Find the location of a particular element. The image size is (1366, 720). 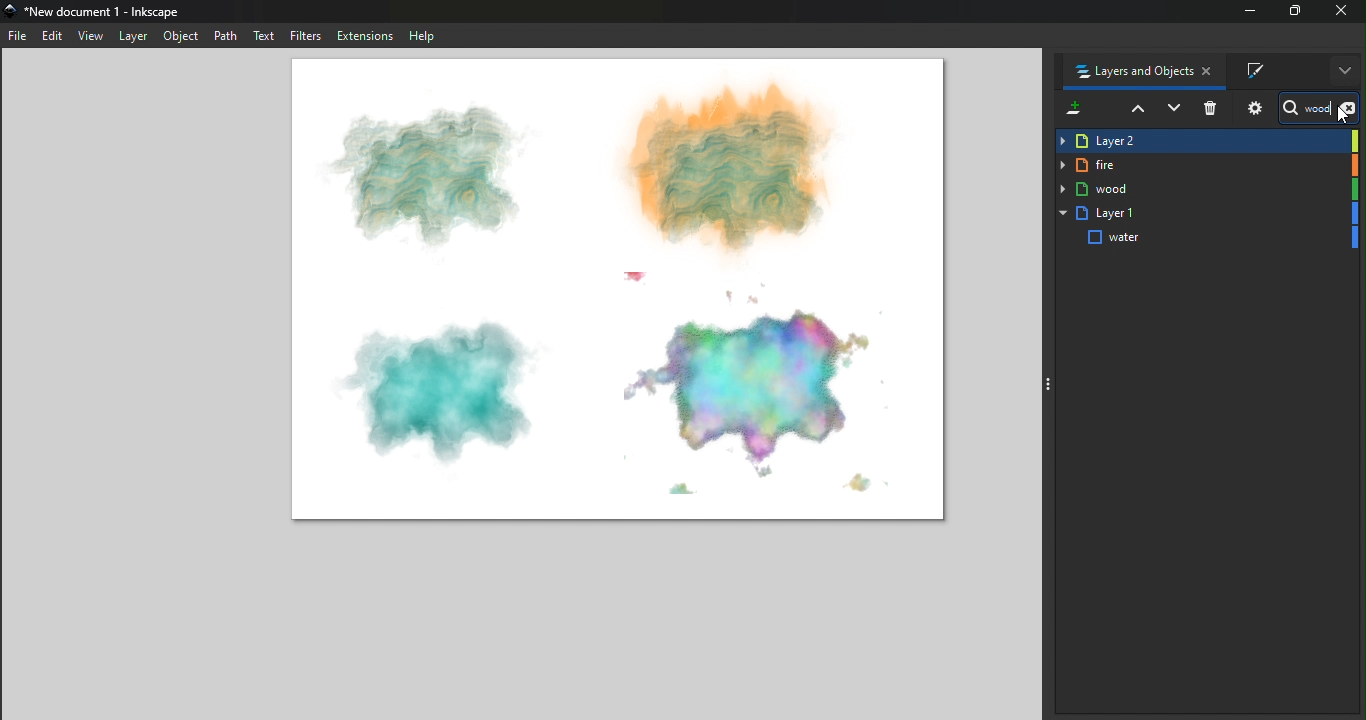

File is located at coordinates (19, 36).